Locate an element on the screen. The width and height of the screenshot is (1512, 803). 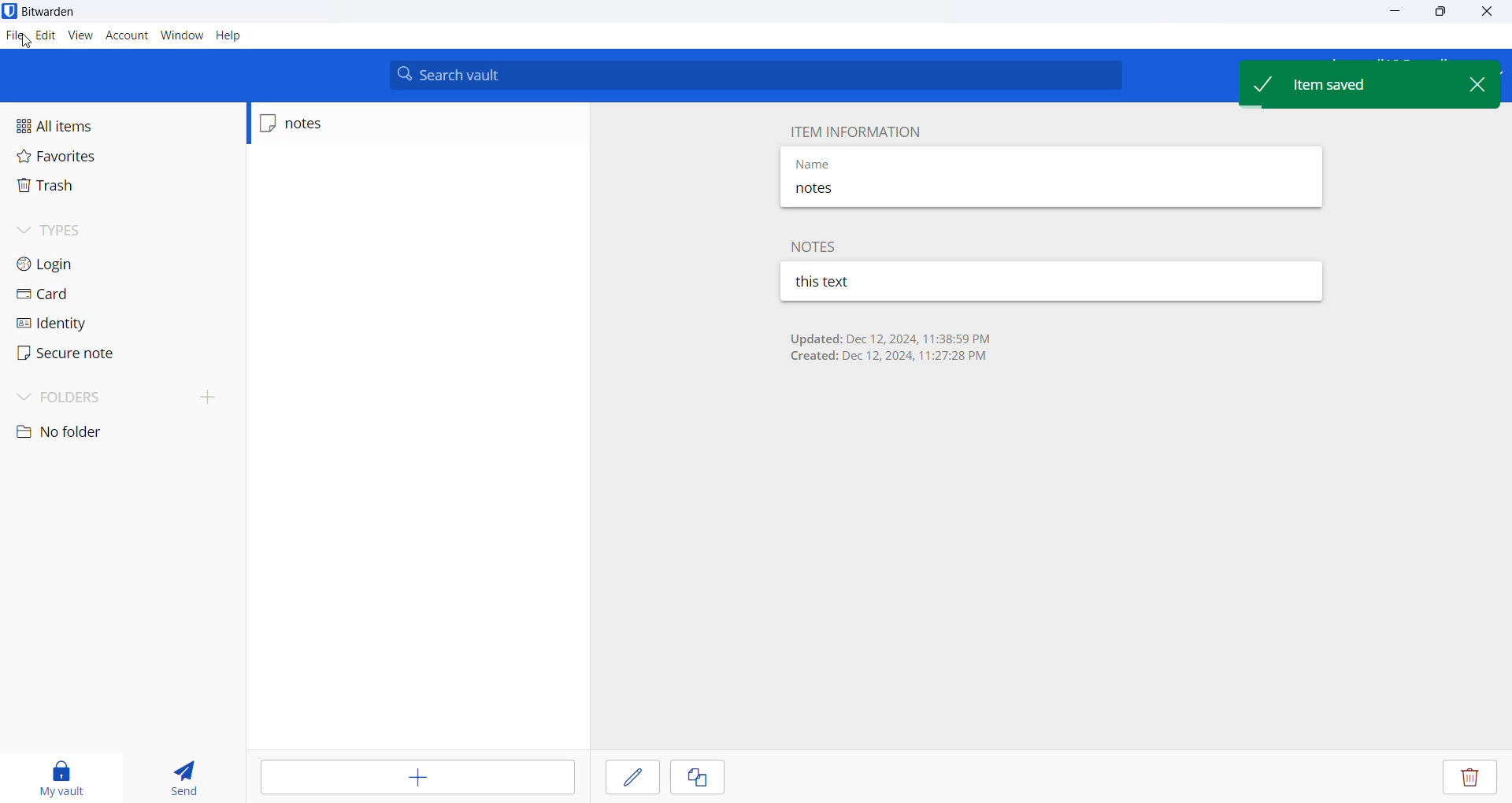
My vault  is located at coordinates (58, 775).